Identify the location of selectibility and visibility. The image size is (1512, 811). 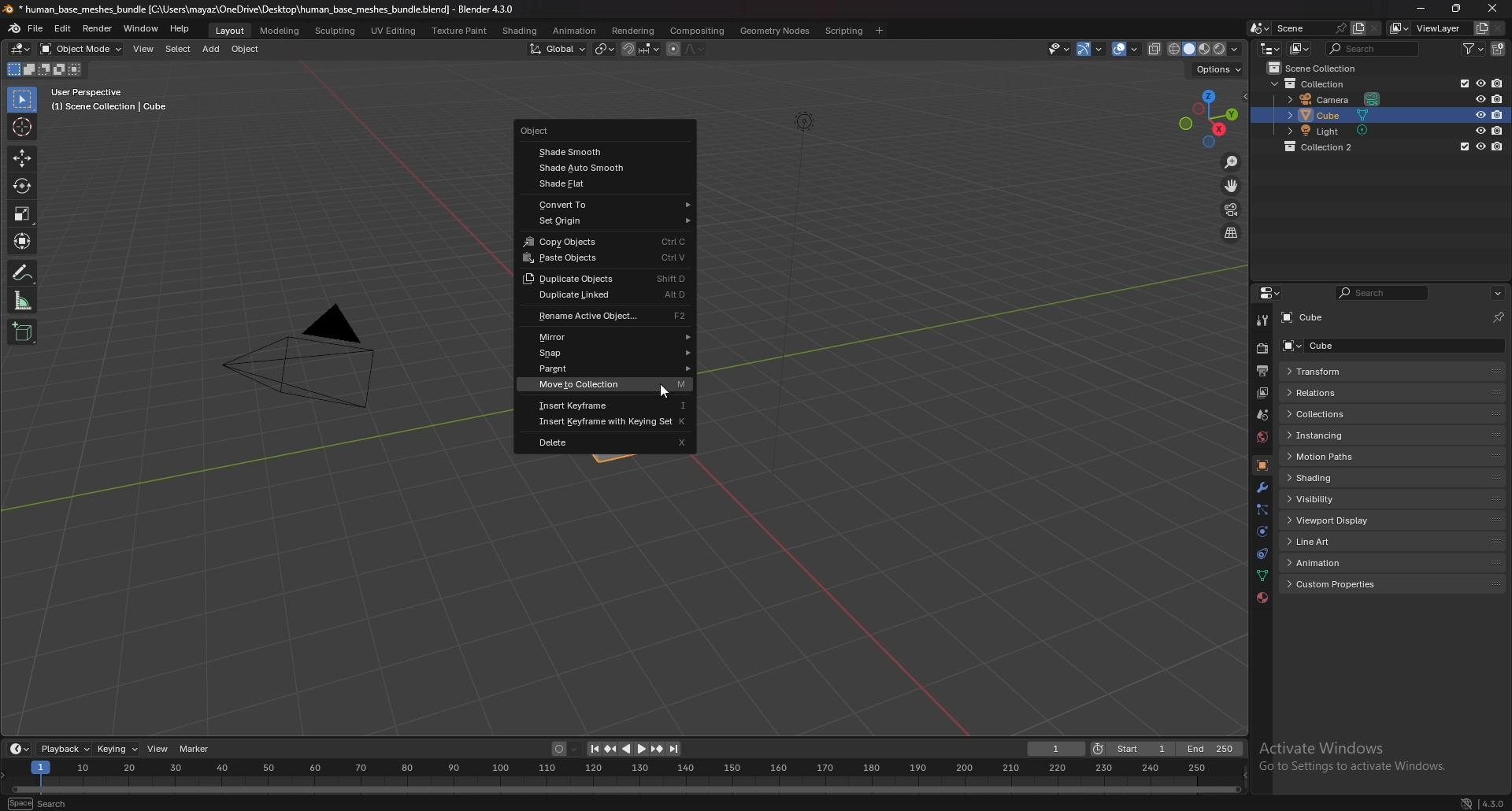
(1060, 49).